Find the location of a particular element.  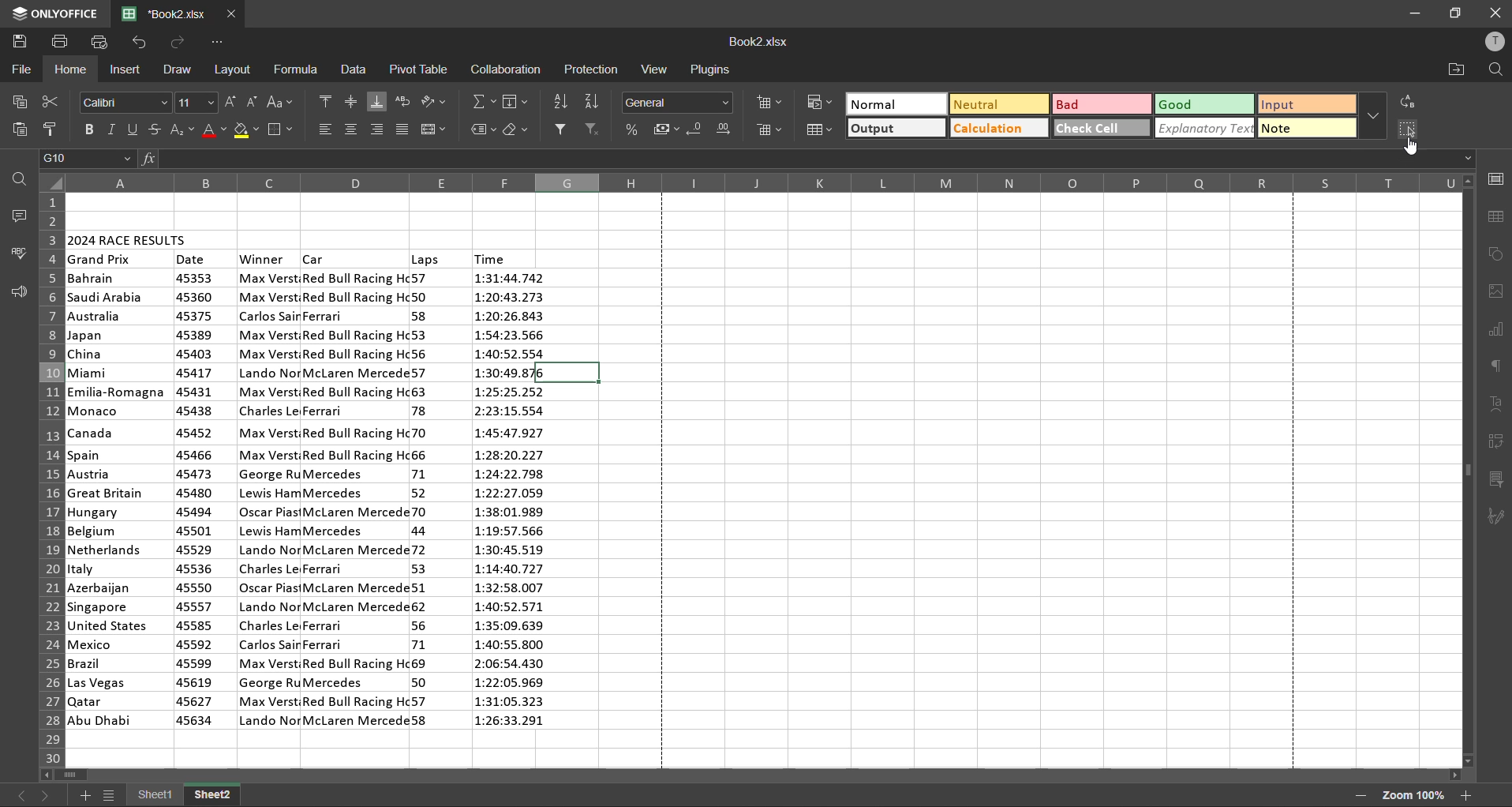

percent is located at coordinates (634, 129).